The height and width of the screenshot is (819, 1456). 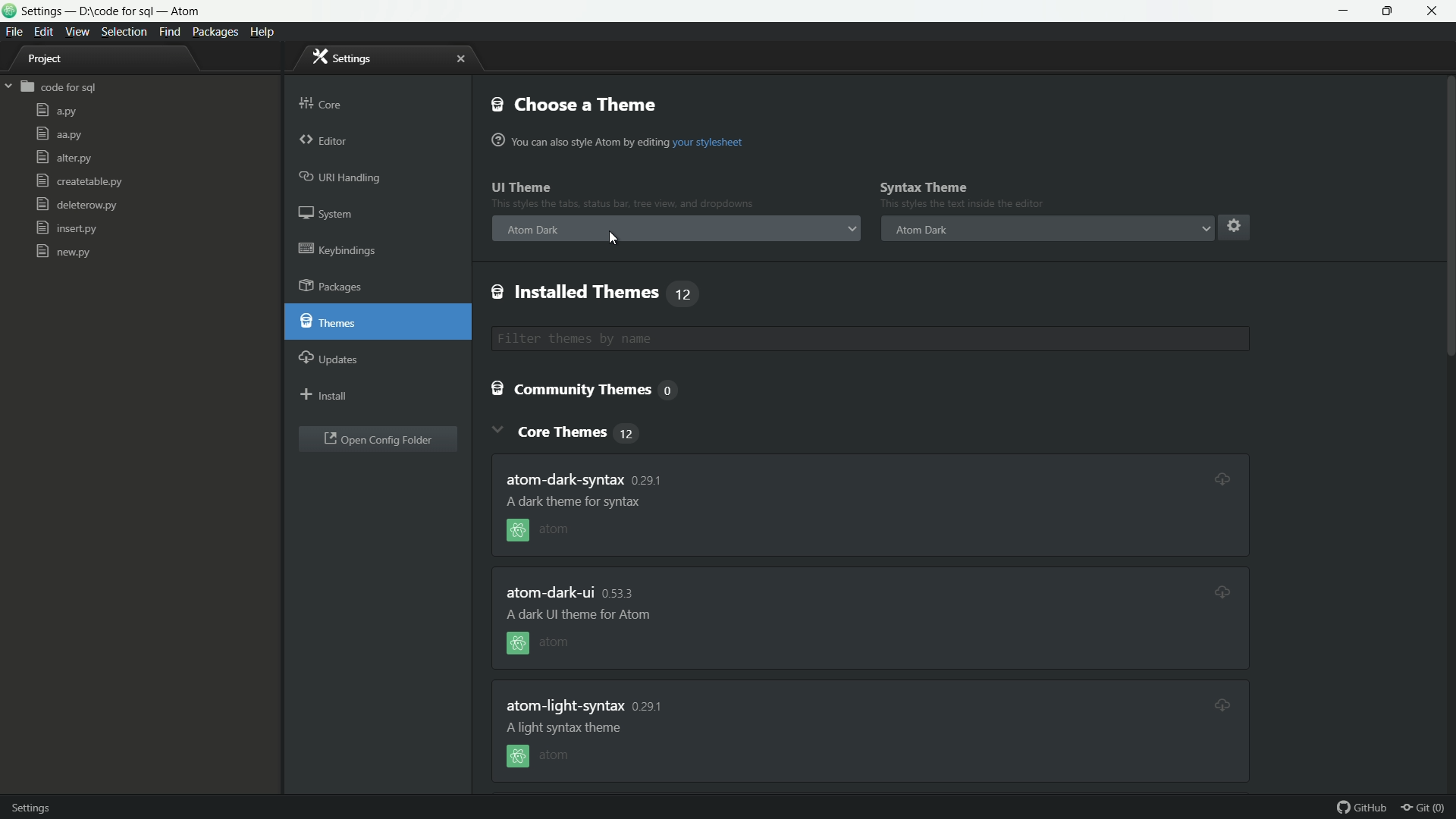 I want to click on edit menu, so click(x=44, y=30).